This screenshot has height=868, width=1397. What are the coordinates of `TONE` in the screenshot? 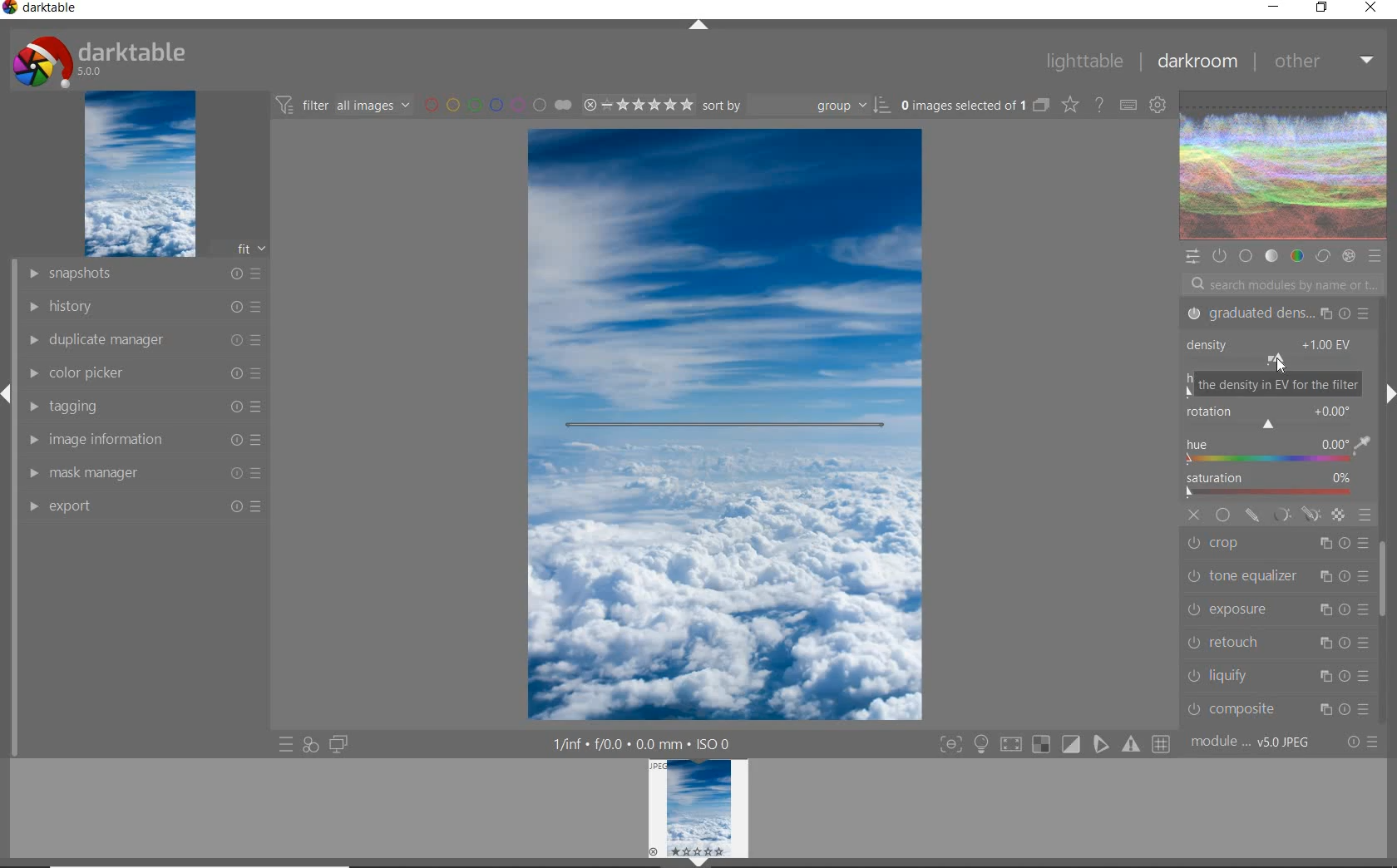 It's located at (1271, 258).